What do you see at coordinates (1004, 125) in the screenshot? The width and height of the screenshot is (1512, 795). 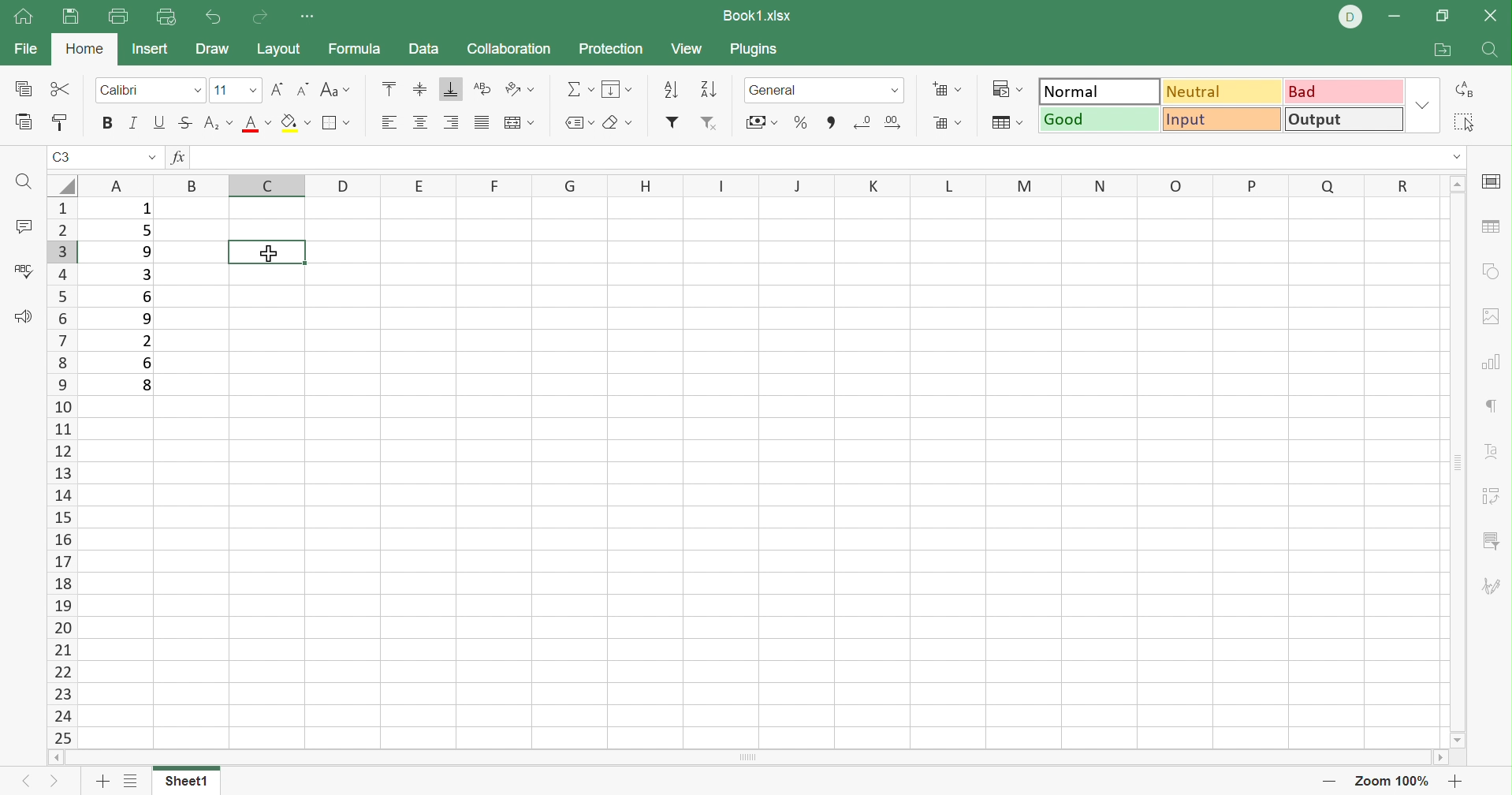 I see `Format as table template` at bounding box center [1004, 125].